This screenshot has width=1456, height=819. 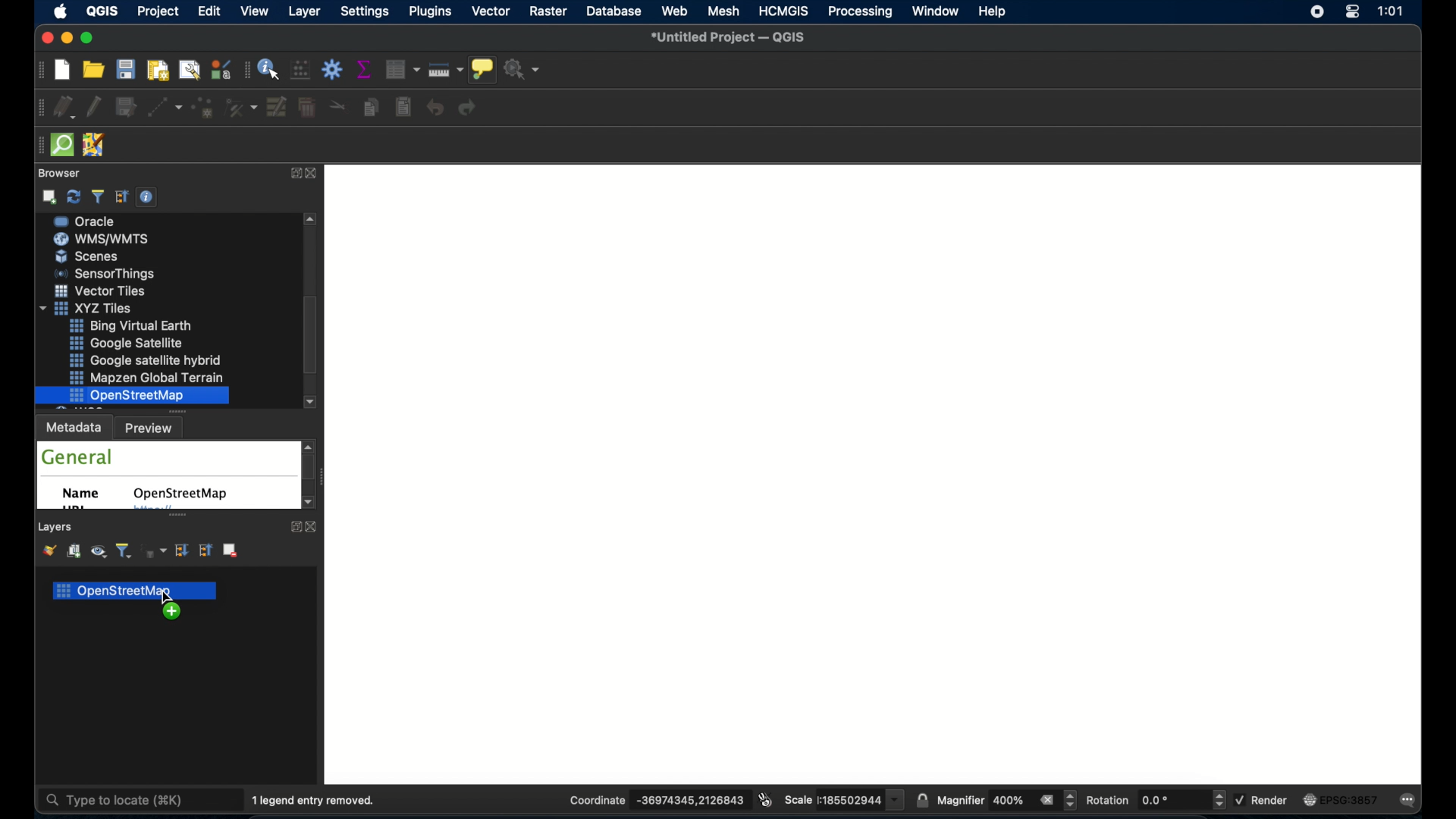 What do you see at coordinates (446, 70) in the screenshot?
I see `measure line` at bounding box center [446, 70].